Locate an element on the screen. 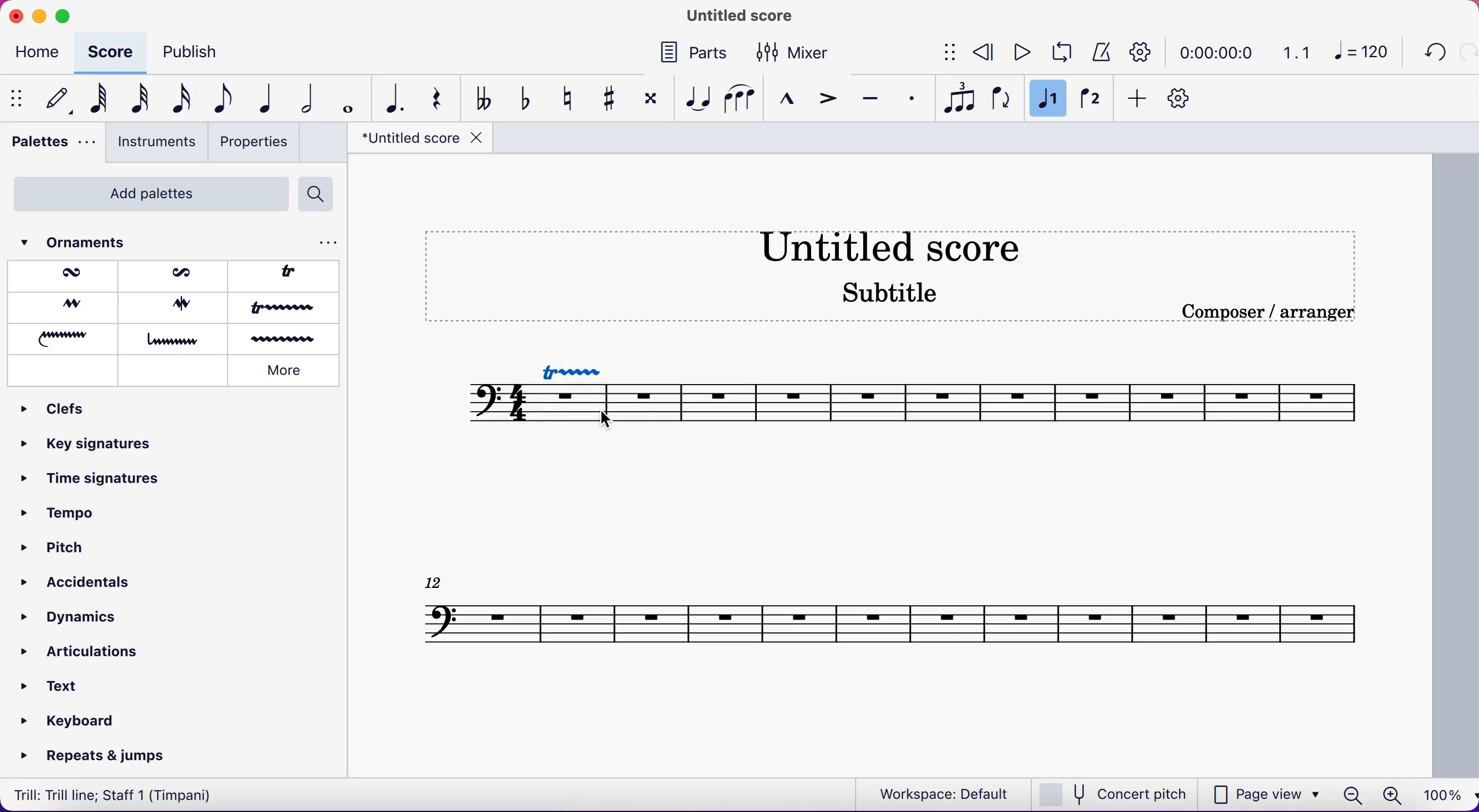 This screenshot has width=1479, height=812. rest is located at coordinates (436, 98).